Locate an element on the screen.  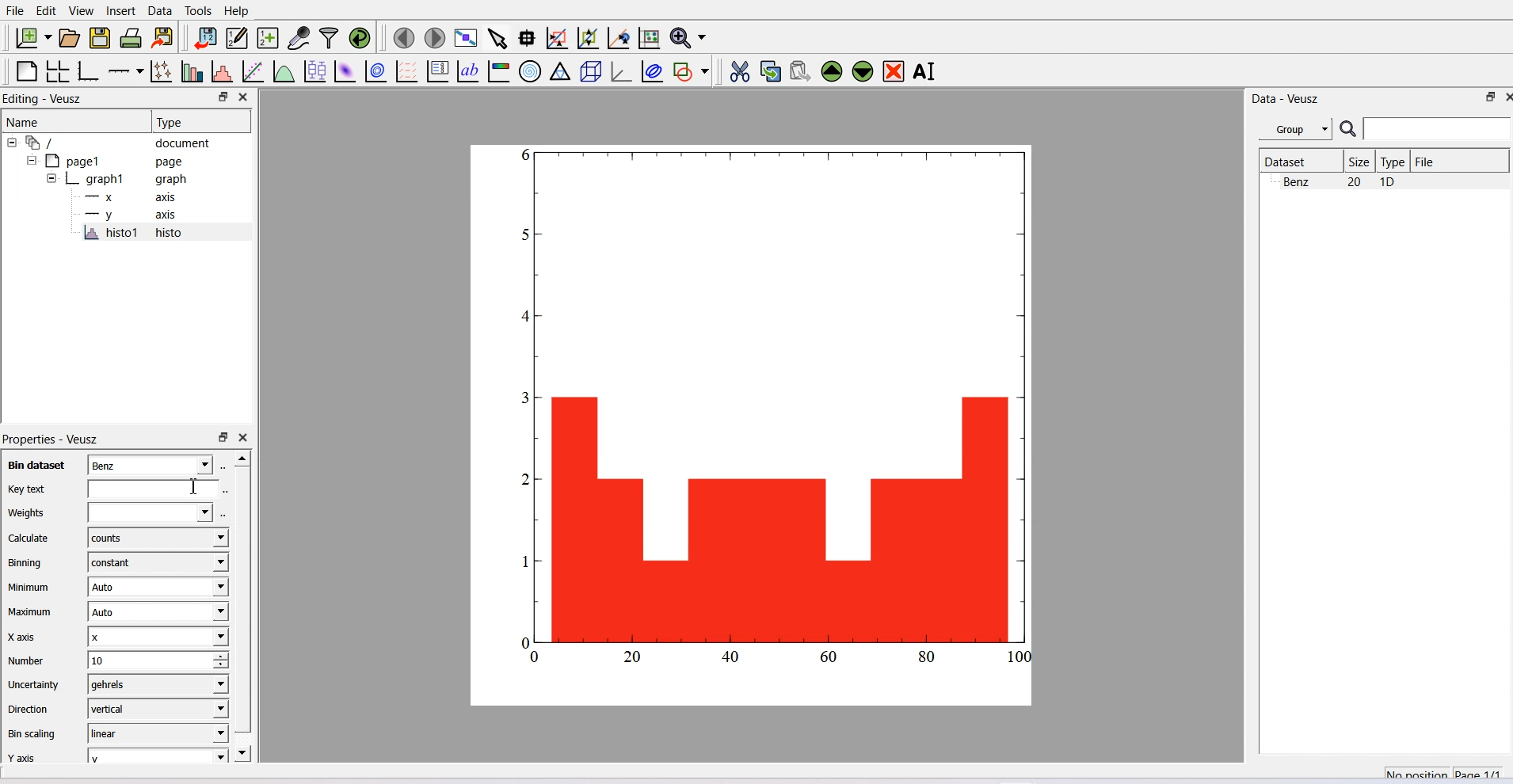
Zoom out of graph axes is located at coordinates (589, 38).